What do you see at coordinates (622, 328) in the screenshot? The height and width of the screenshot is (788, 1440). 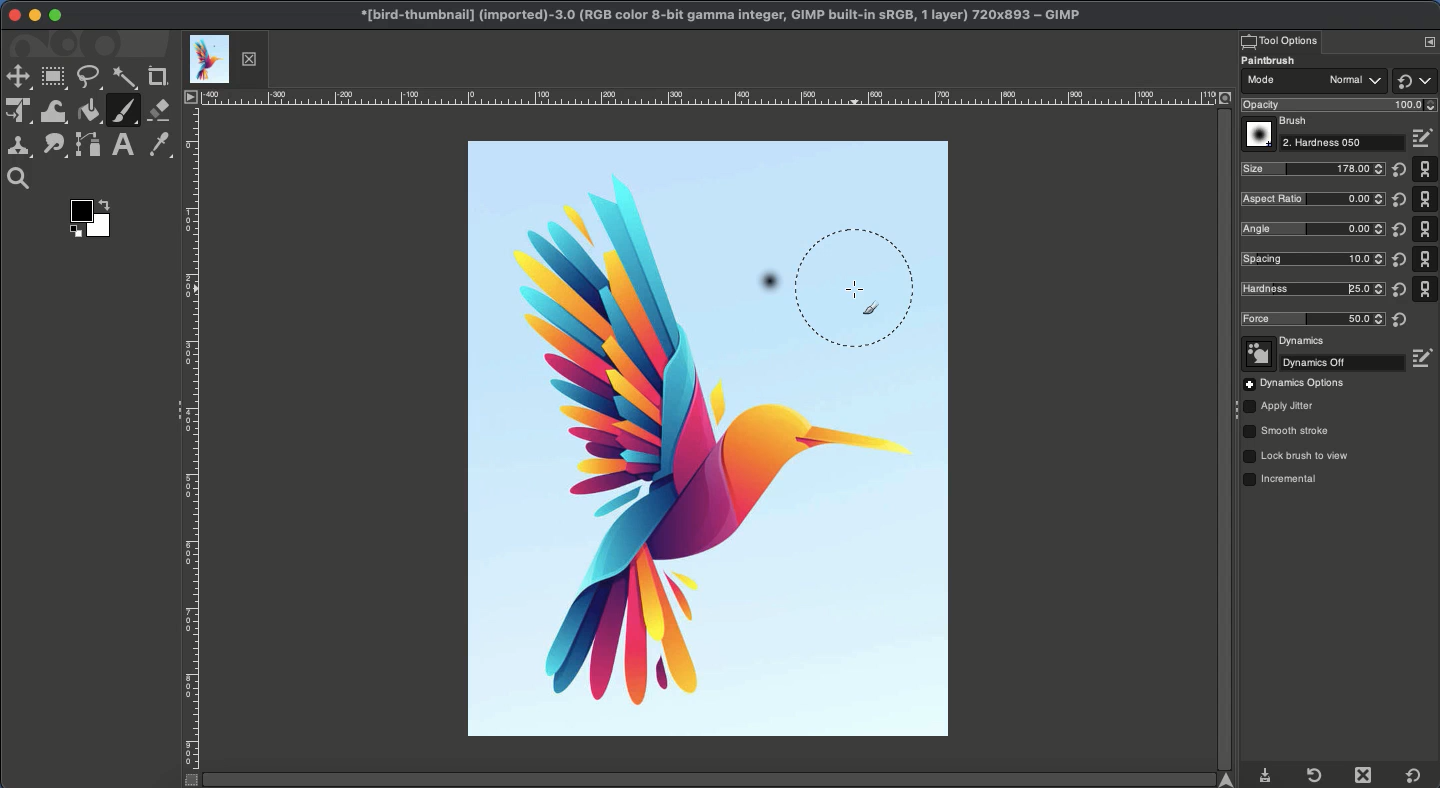 I see `image` at bounding box center [622, 328].